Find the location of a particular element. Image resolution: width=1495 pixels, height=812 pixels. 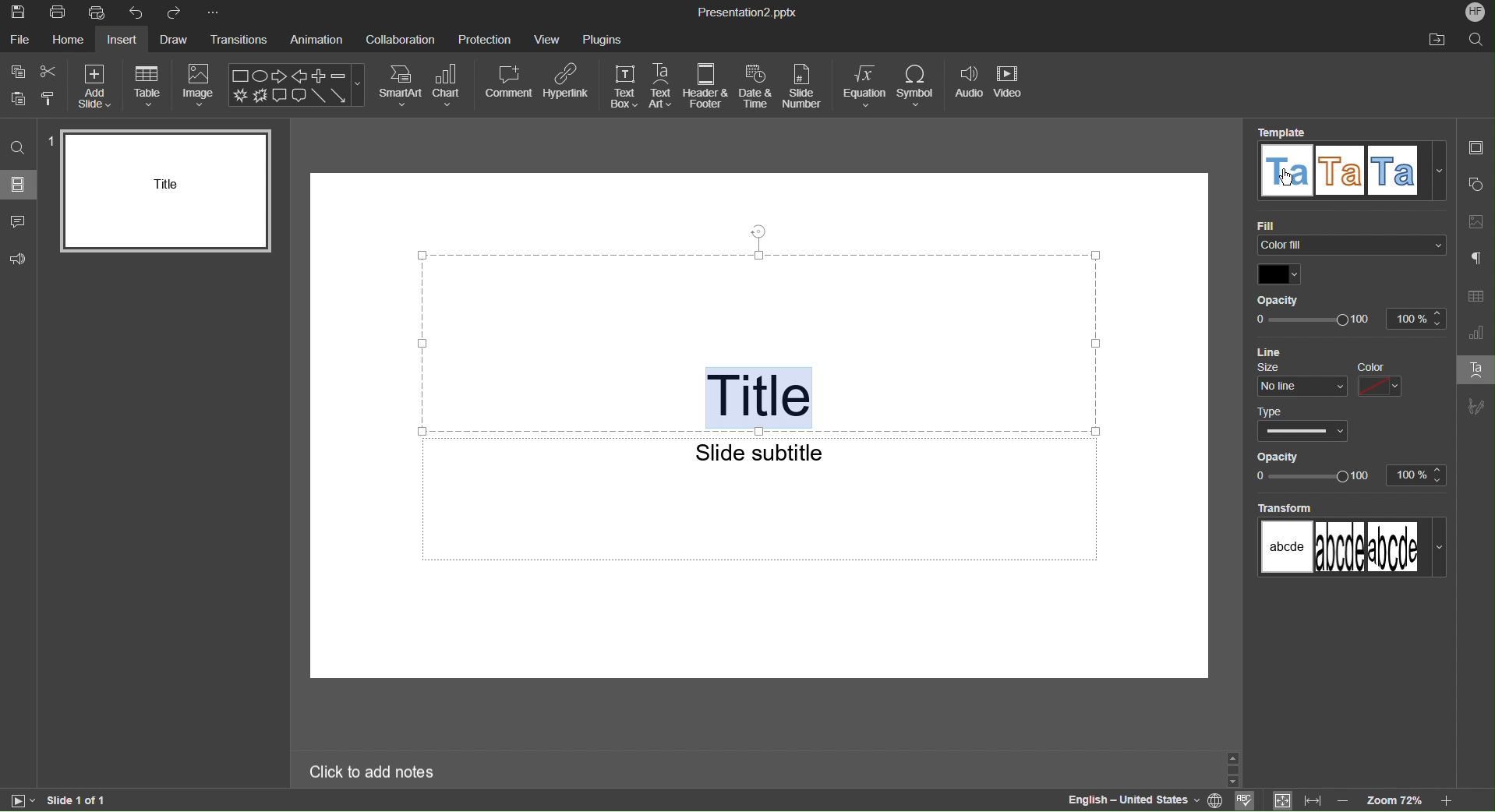

Paragraph Settings is located at coordinates (1476, 259).